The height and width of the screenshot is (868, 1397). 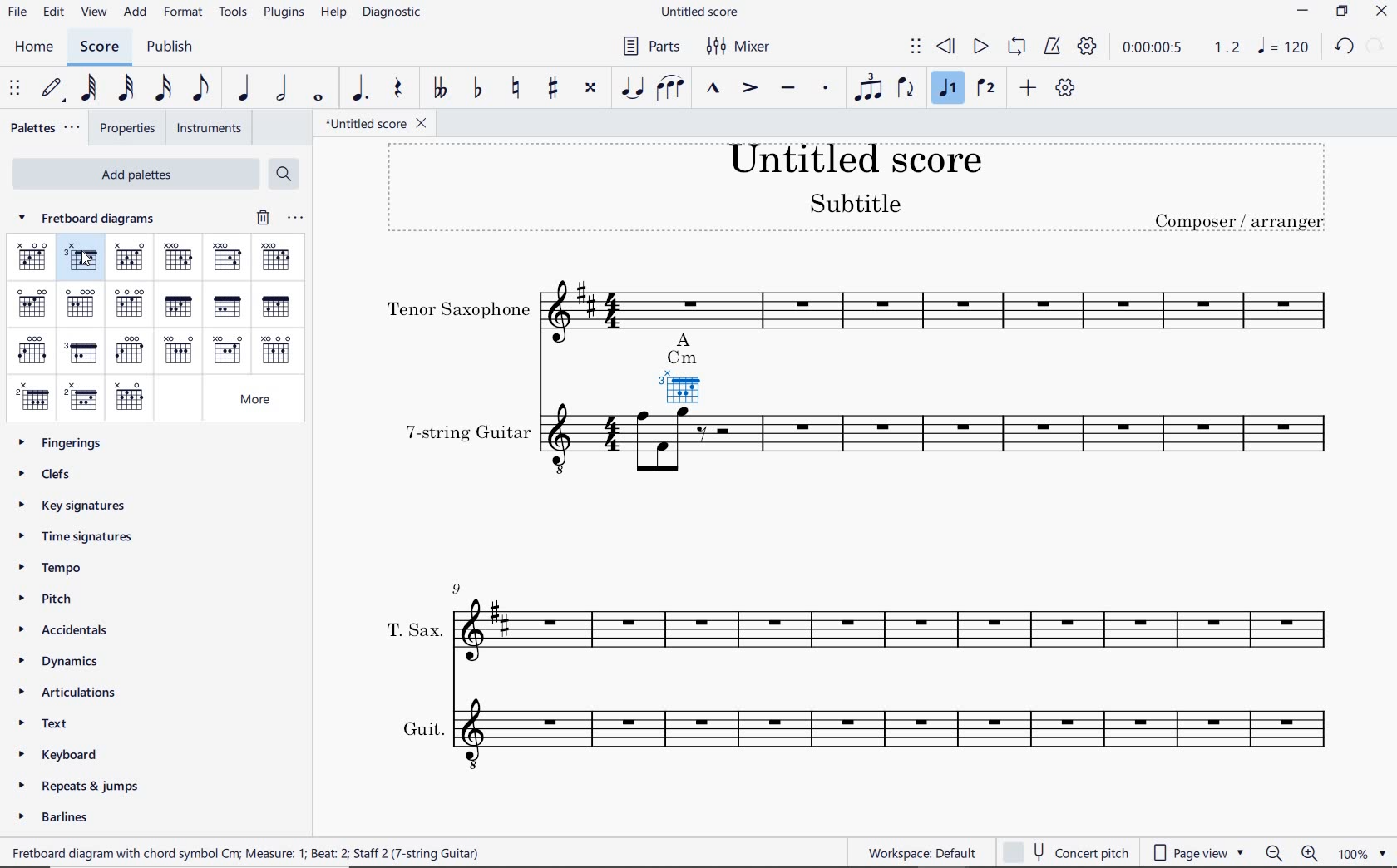 I want to click on INSTRUMENT: GUIT, so click(x=862, y=718).